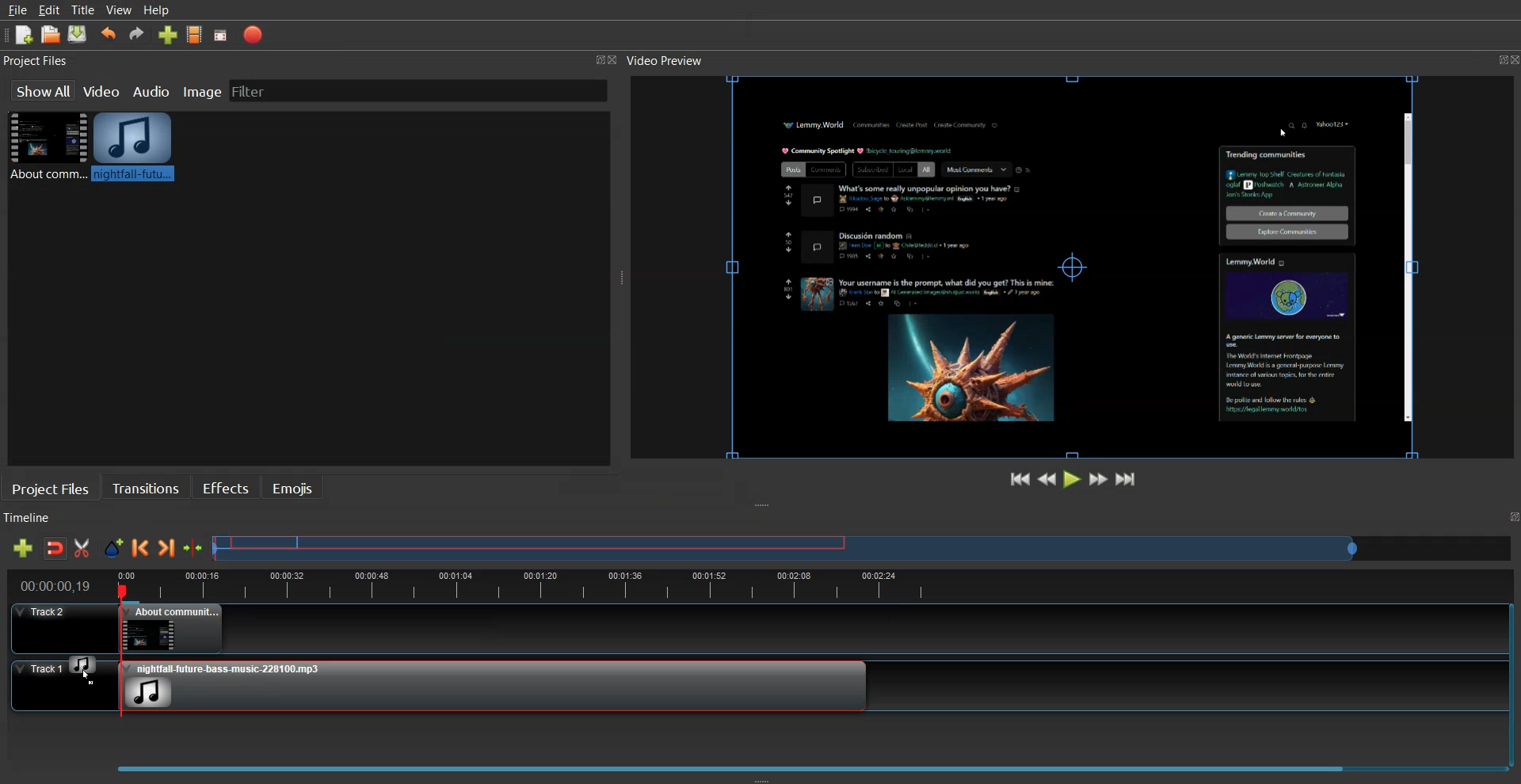 The width and height of the screenshot is (1521, 784). I want to click on Slider, so click(757, 763).